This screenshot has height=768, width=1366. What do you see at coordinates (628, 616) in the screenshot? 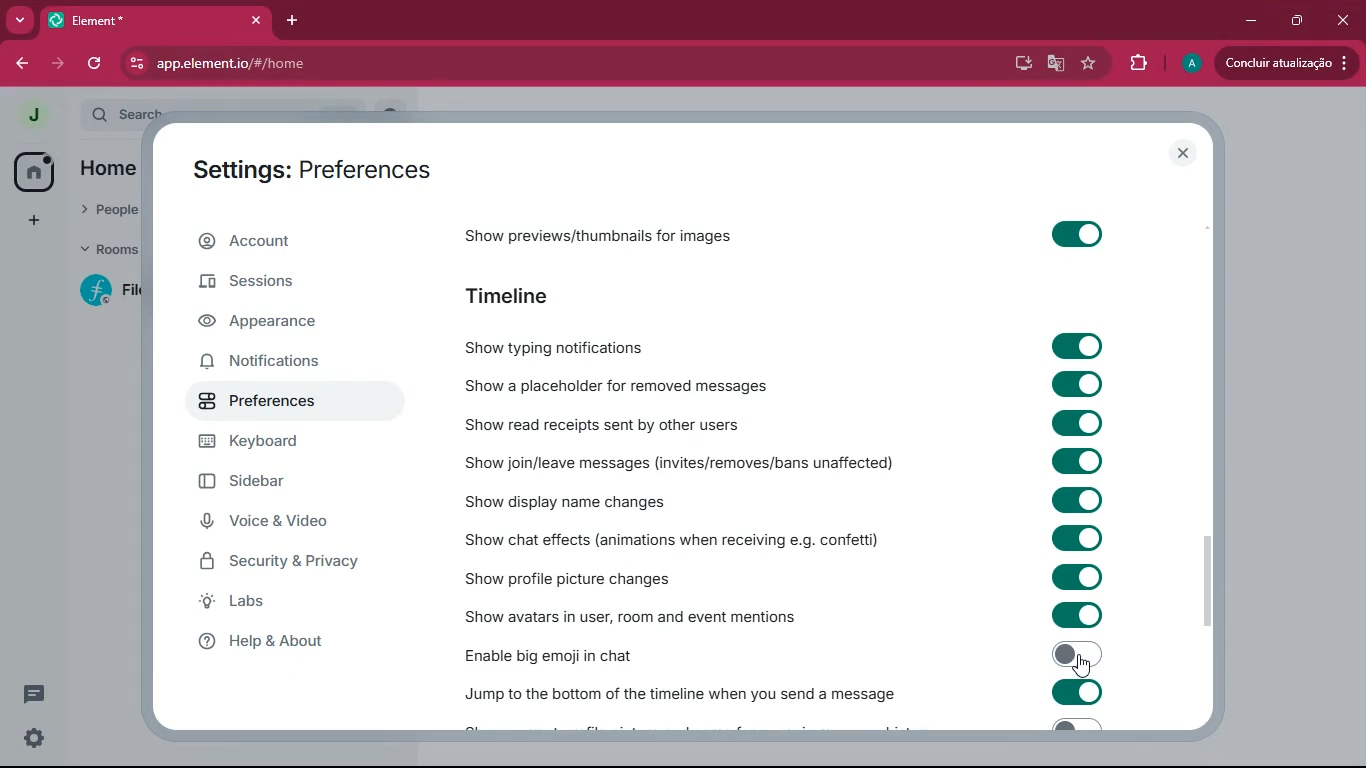
I see `show avatars in user, room and event mentions` at bounding box center [628, 616].